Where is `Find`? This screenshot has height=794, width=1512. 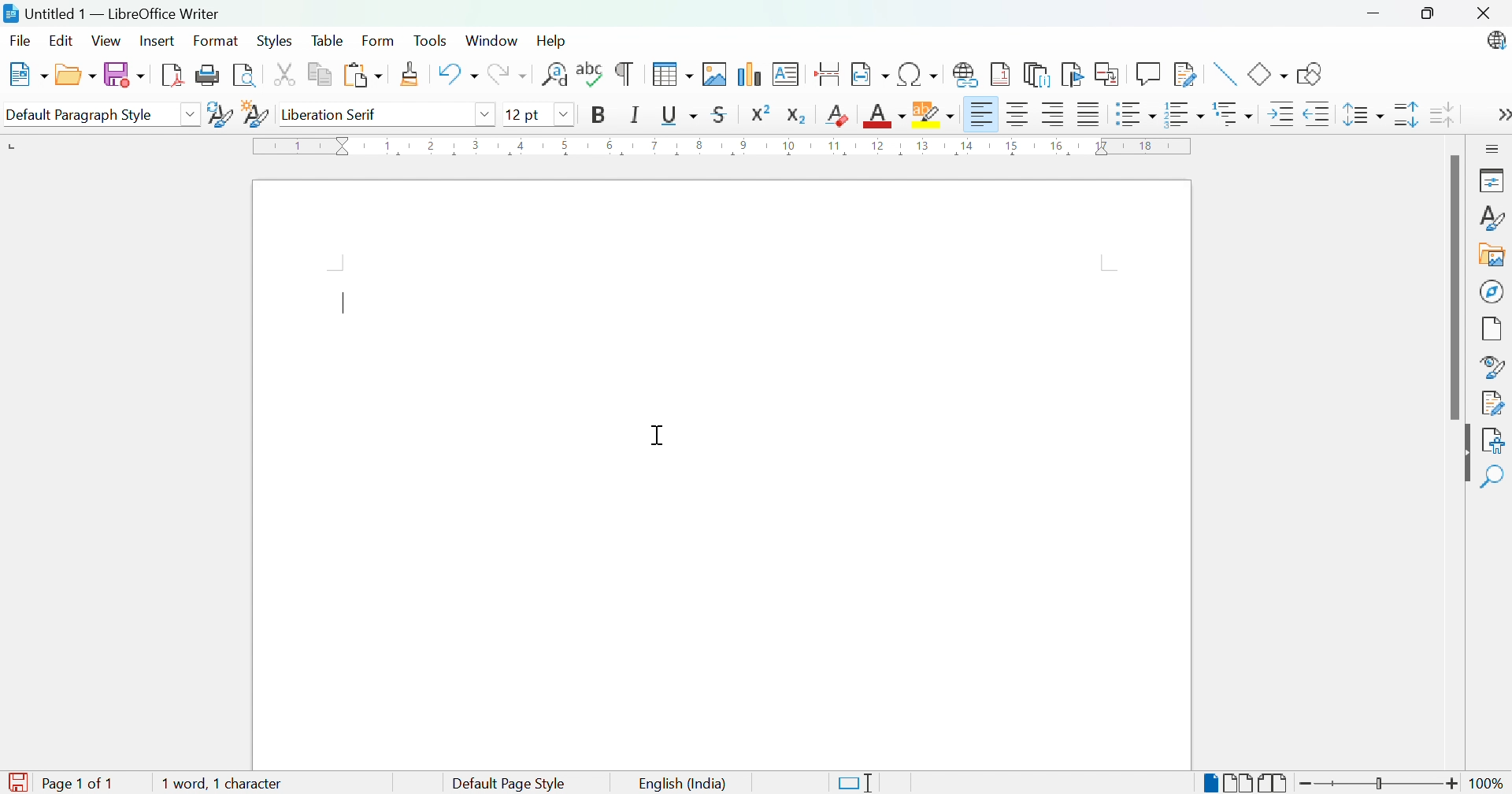 Find is located at coordinates (1495, 477).